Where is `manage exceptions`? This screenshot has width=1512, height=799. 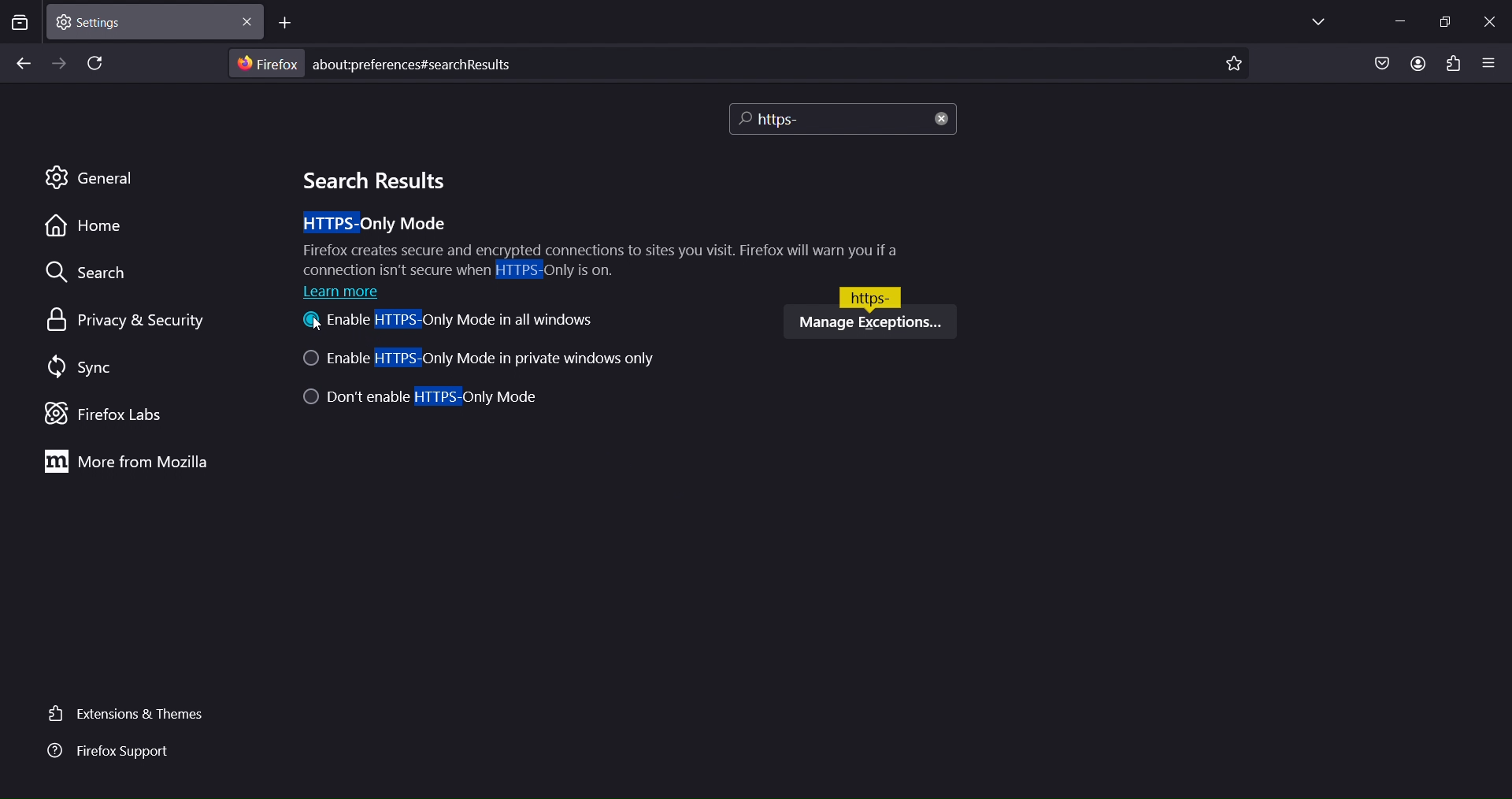
manage exceptions is located at coordinates (869, 321).